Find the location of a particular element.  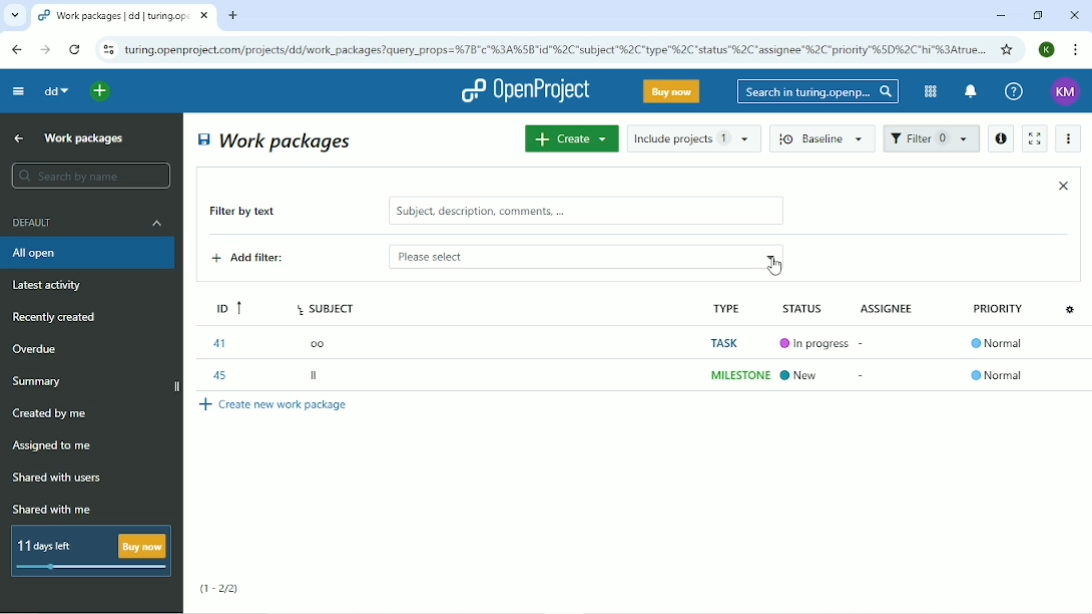

Add filter is located at coordinates (263, 260).